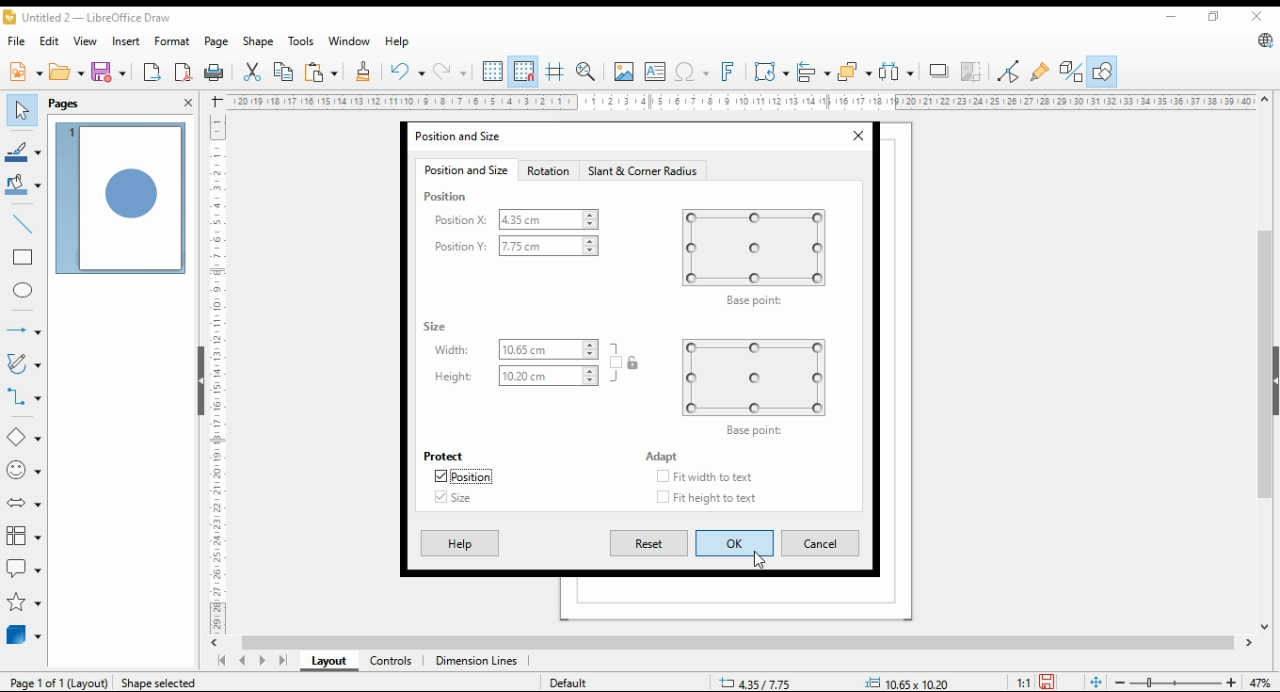 The image size is (1280, 692). What do you see at coordinates (24, 505) in the screenshot?
I see `block arrow` at bounding box center [24, 505].